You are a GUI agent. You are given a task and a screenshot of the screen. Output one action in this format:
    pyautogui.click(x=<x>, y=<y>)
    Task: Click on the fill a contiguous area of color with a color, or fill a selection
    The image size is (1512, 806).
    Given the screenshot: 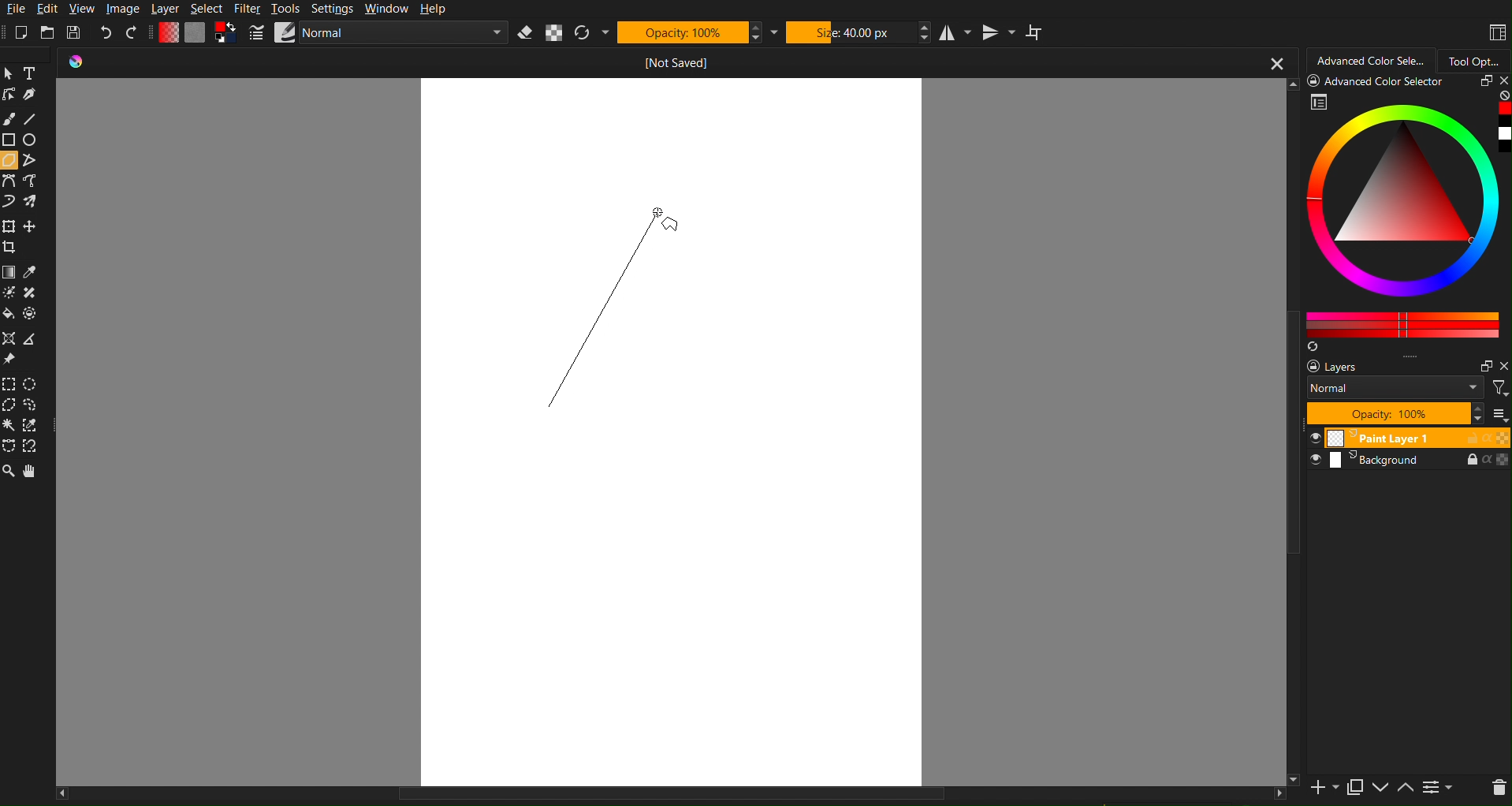 What is the action you would take?
    pyautogui.click(x=9, y=315)
    